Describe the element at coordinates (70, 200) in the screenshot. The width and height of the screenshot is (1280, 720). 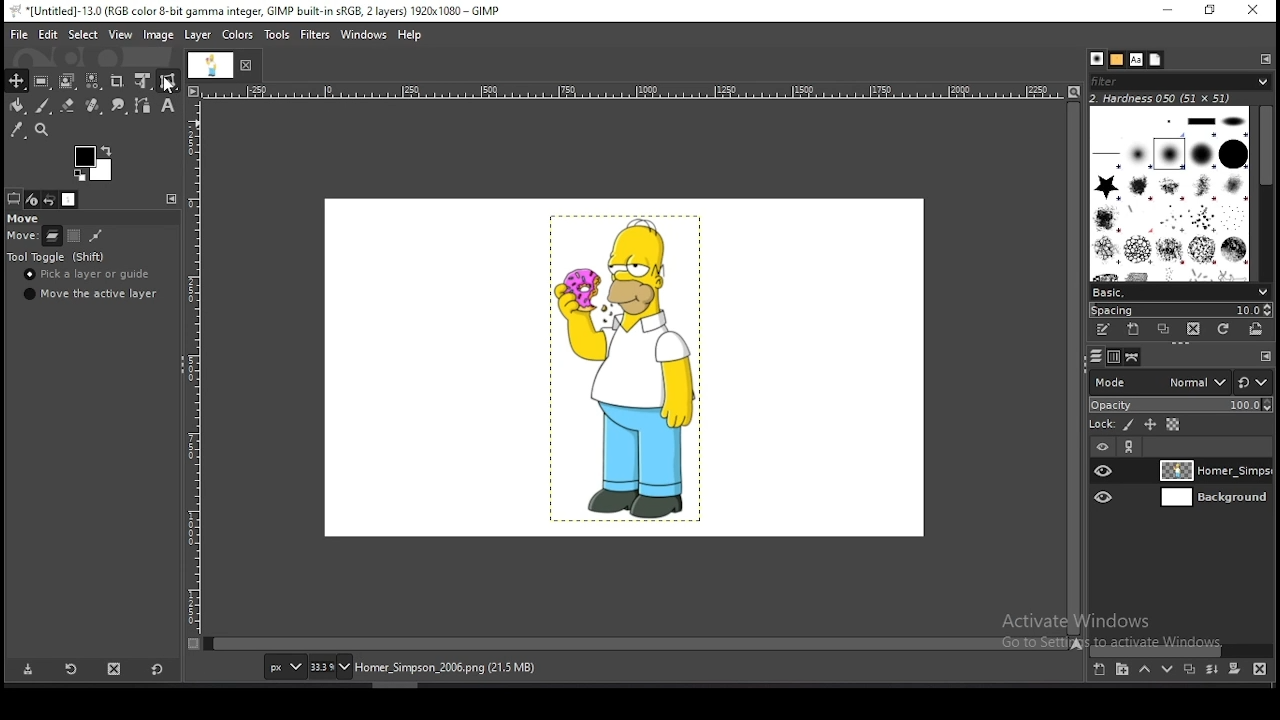
I see `images` at that location.